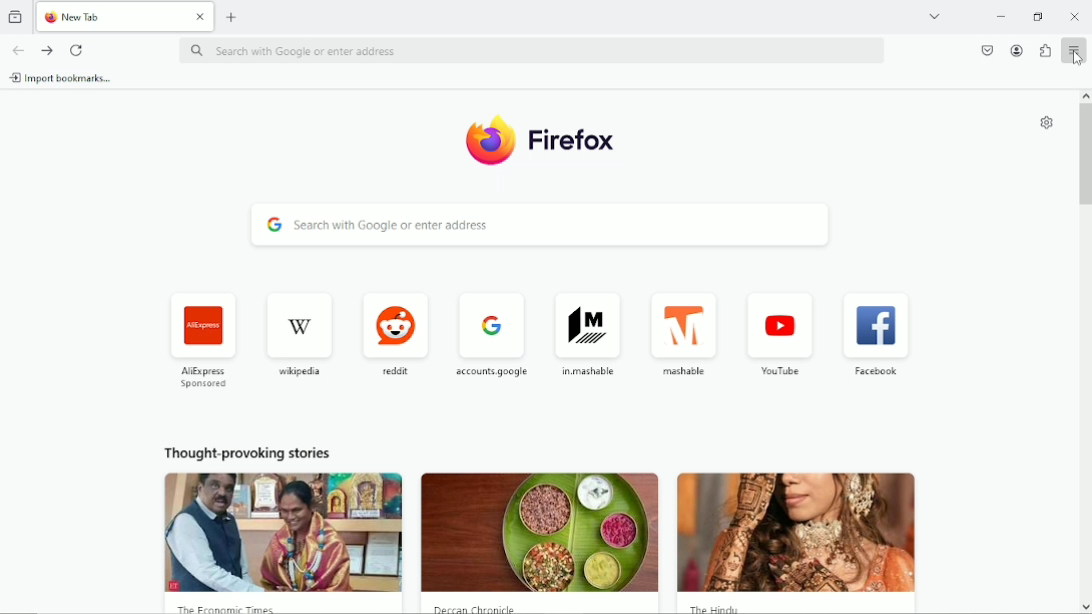 The height and width of the screenshot is (614, 1092). I want to click on Close, so click(1076, 18).